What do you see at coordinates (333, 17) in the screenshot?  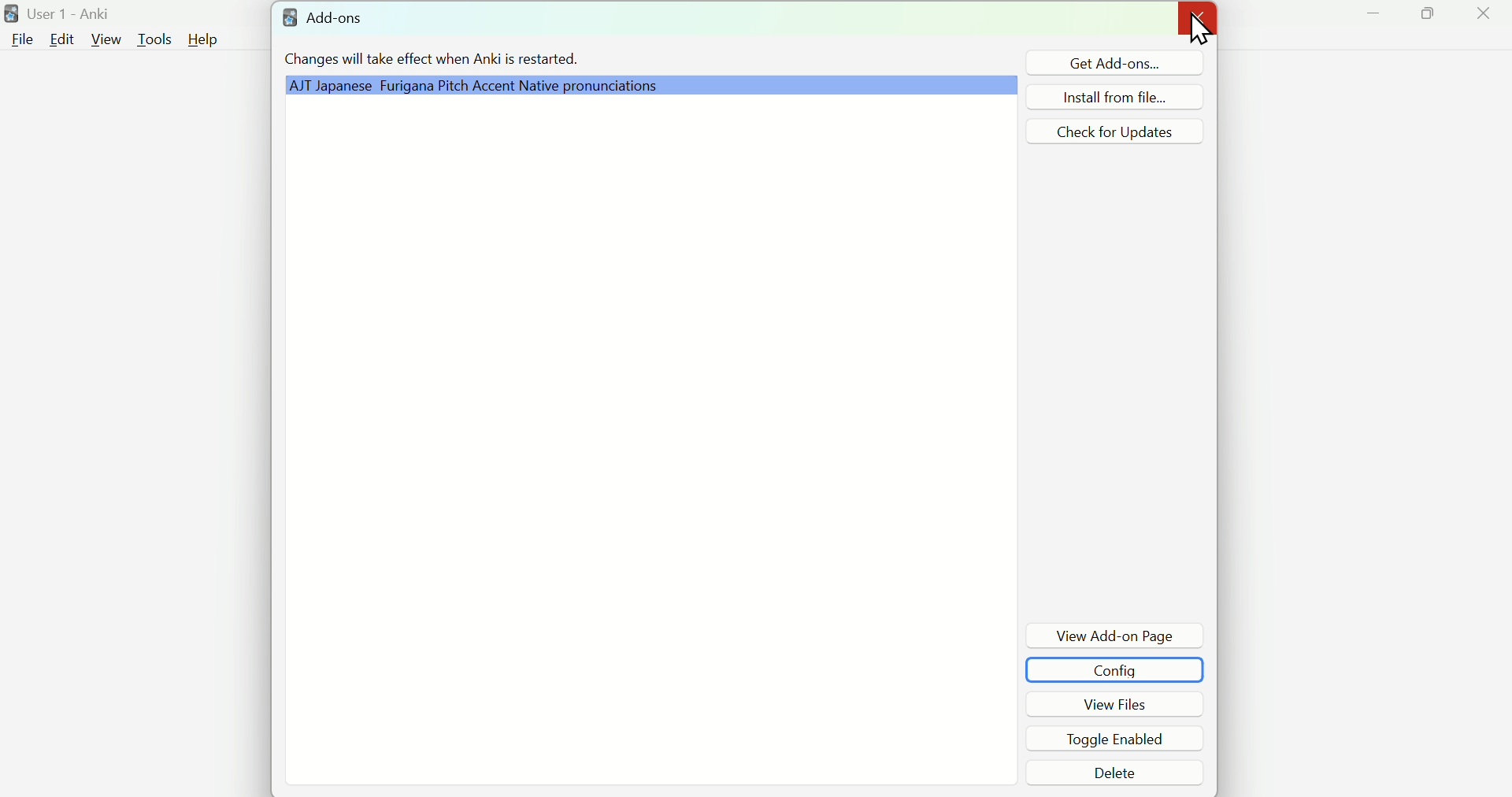 I see `Add - ons` at bounding box center [333, 17].